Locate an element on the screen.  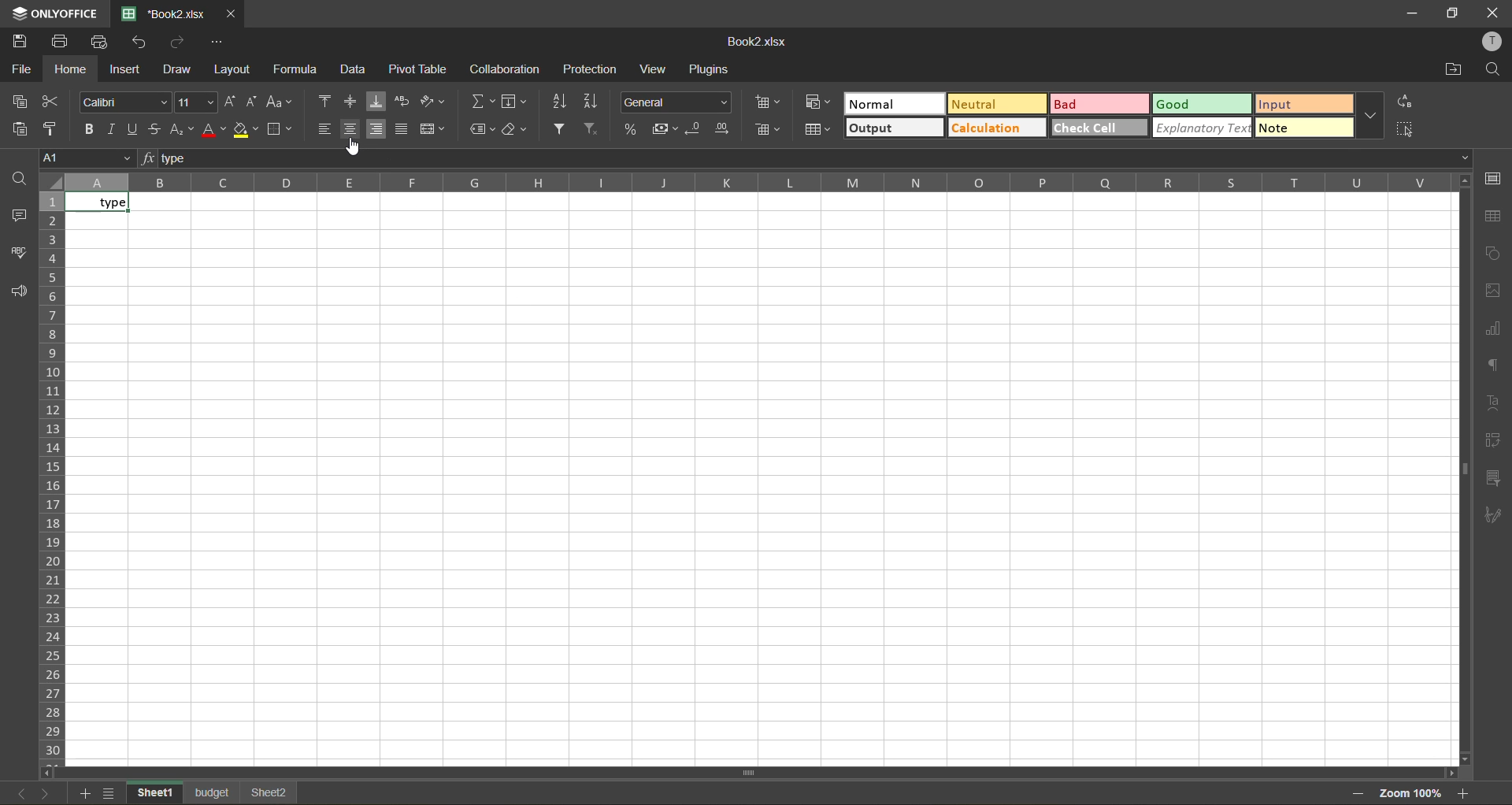
wrap text is located at coordinates (406, 98).